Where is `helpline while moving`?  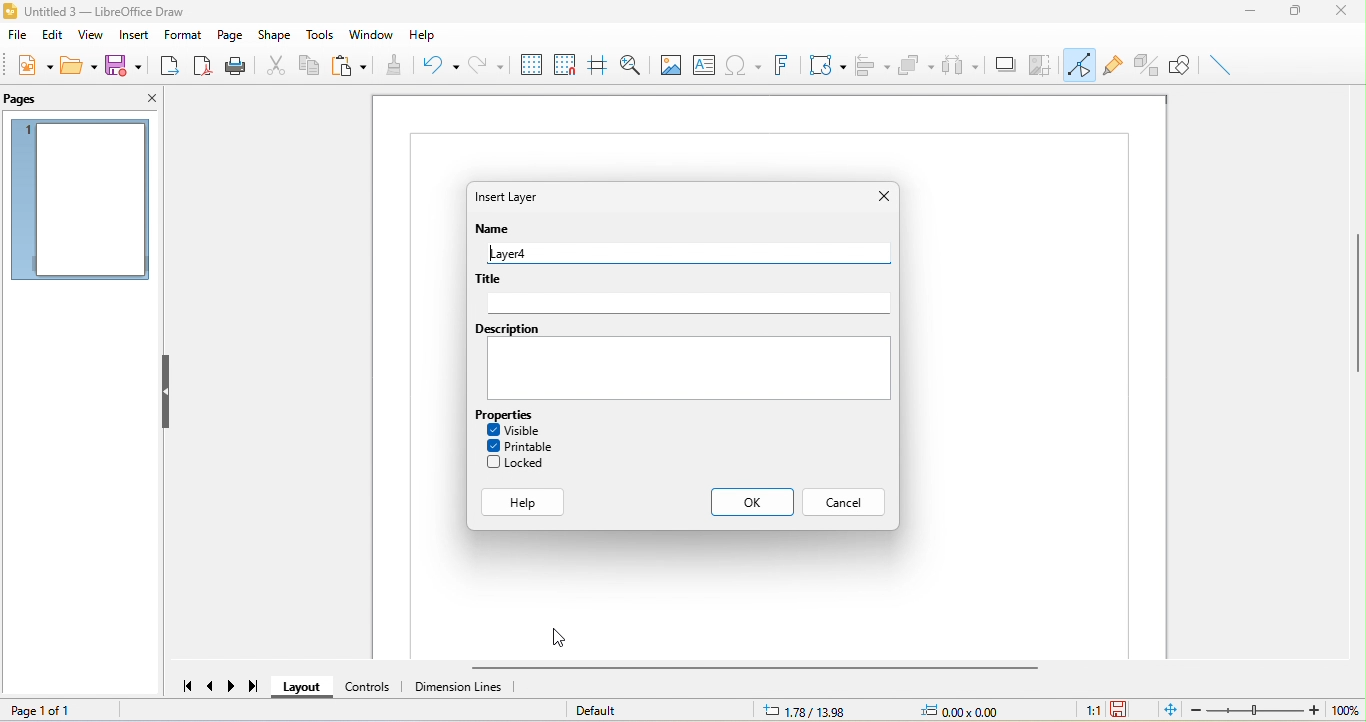 helpline while moving is located at coordinates (596, 65).